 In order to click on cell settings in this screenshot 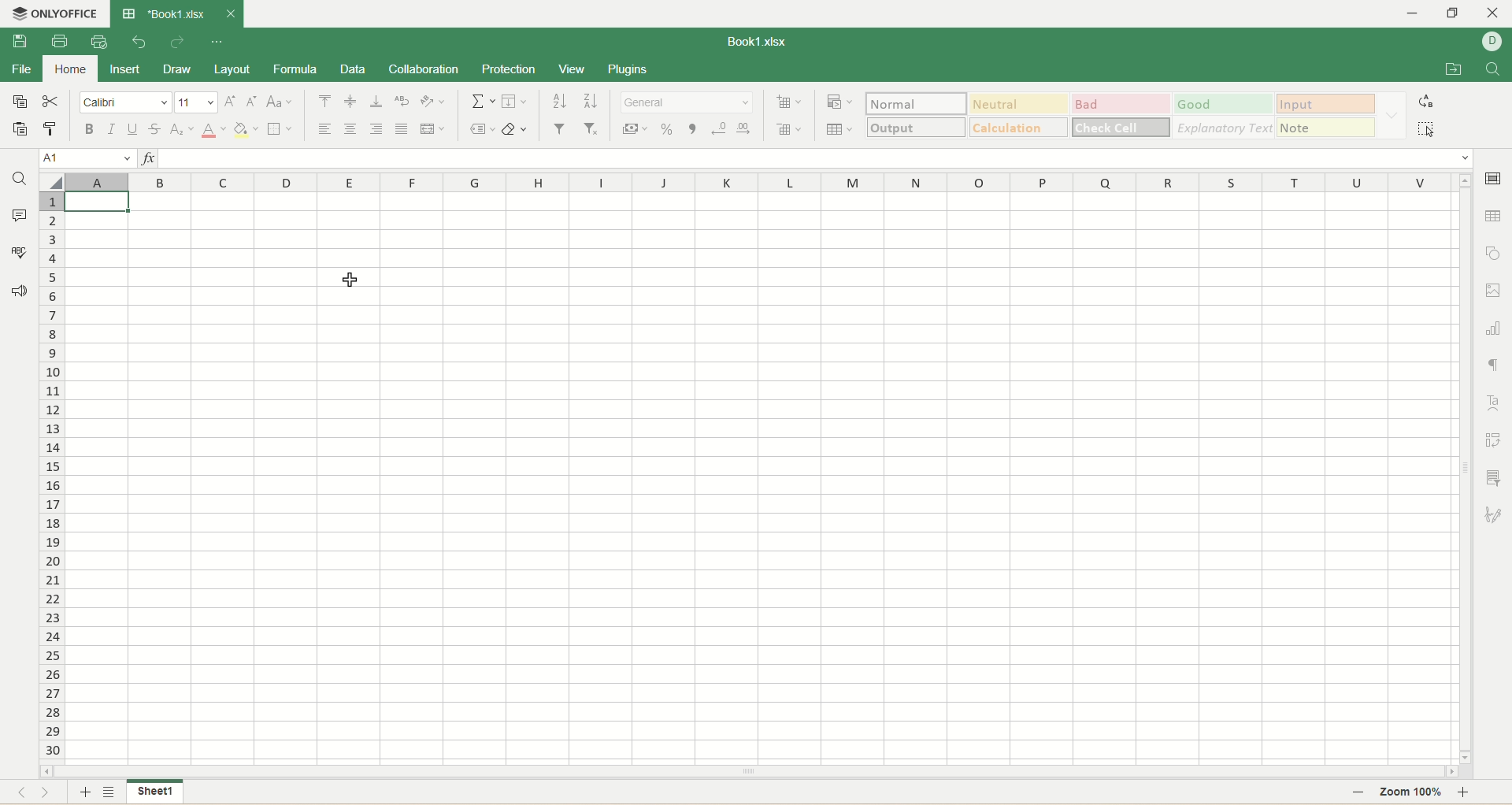, I will do `click(1496, 180)`.